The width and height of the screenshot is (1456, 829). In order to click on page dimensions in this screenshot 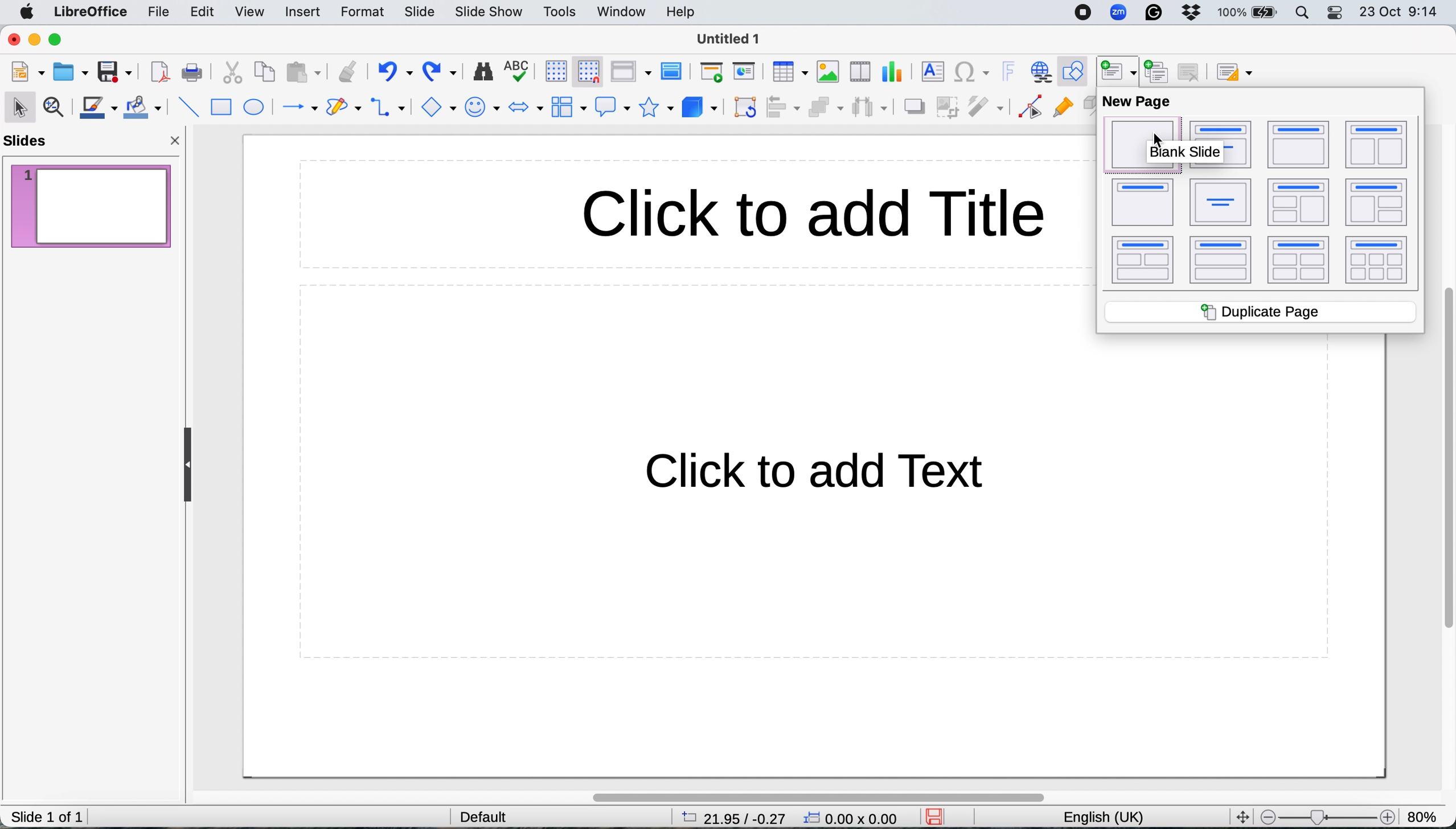, I will do `click(729, 818)`.